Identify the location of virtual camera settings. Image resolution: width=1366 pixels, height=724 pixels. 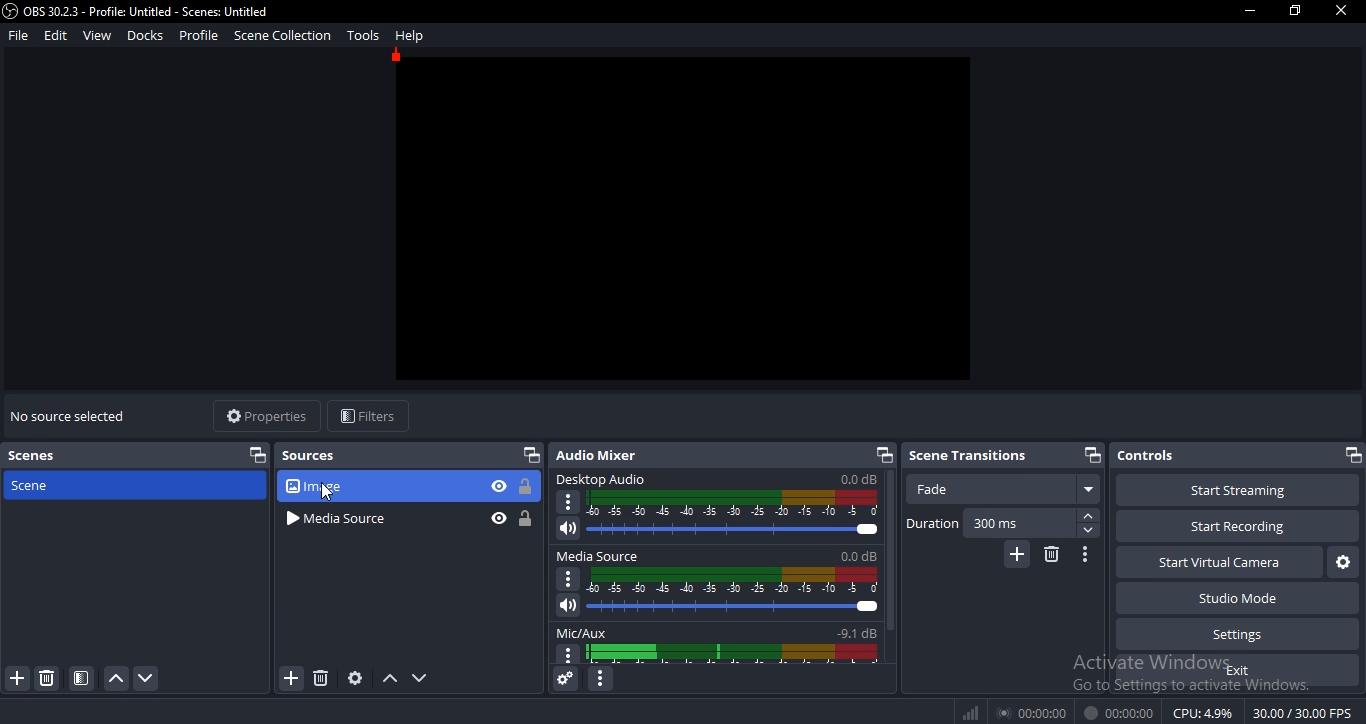
(1343, 565).